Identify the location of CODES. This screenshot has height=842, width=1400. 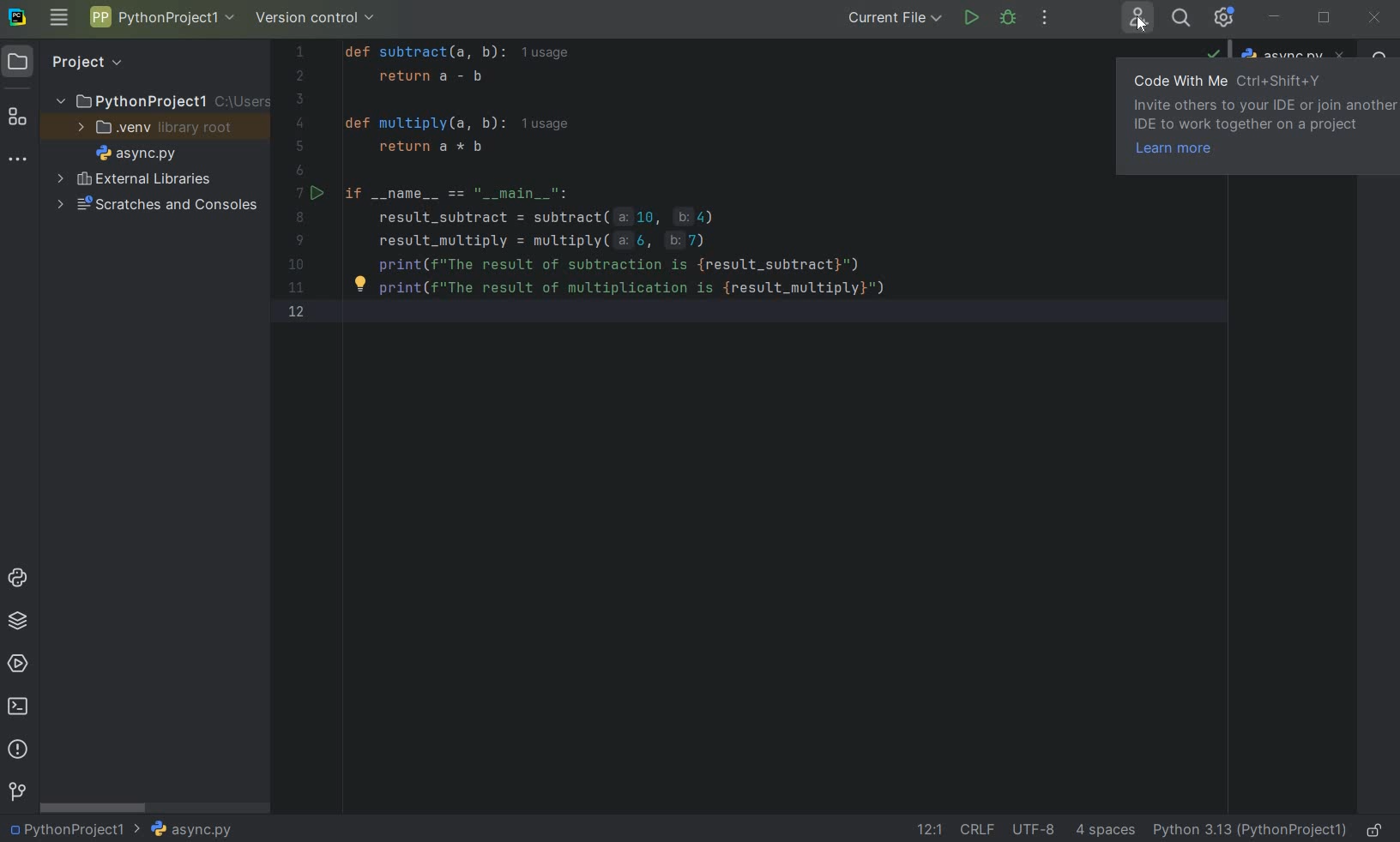
(655, 198).